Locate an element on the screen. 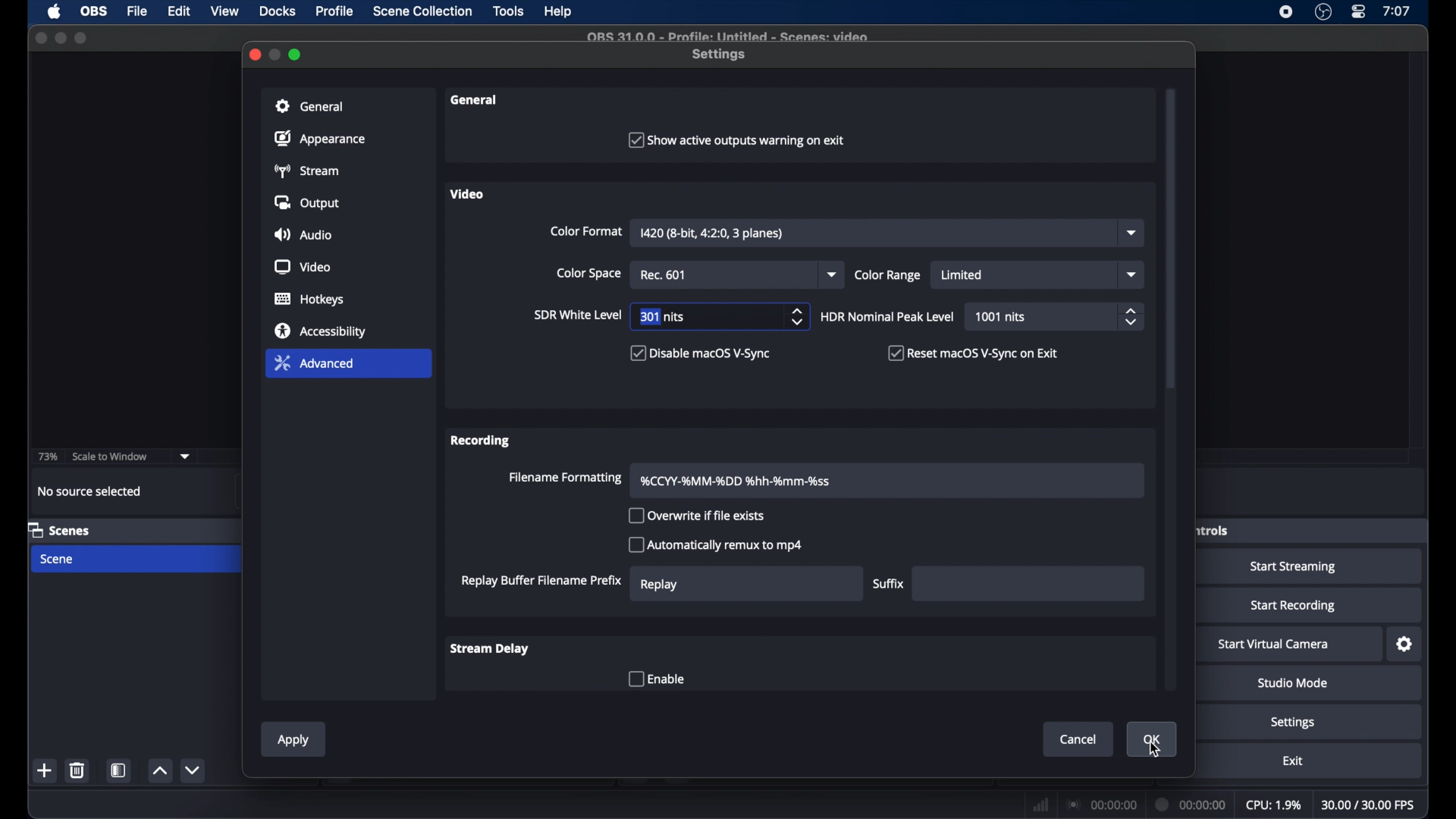 This screenshot has height=819, width=1456. stream delay is located at coordinates (490, 648).